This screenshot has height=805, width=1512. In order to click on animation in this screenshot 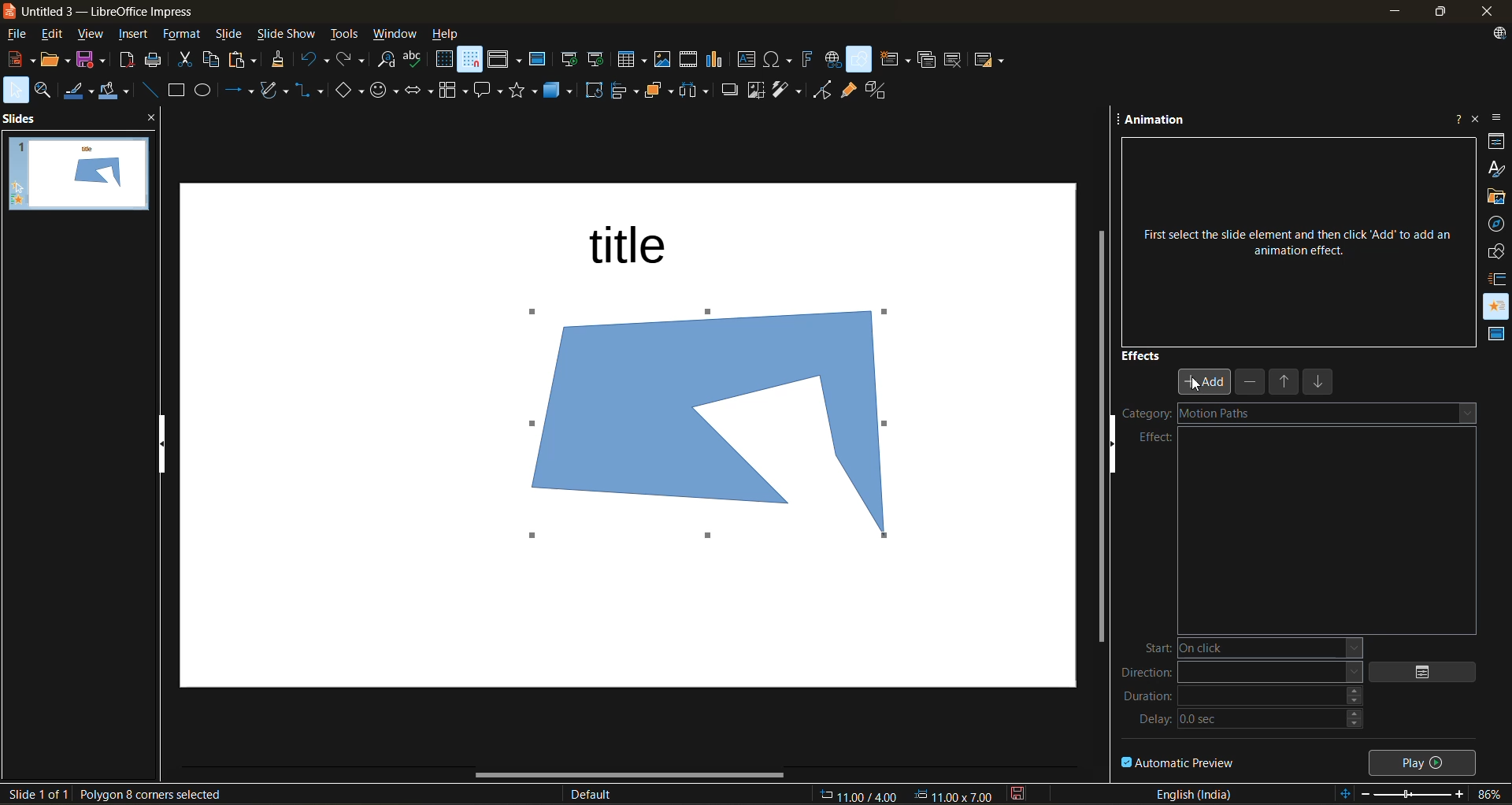, I will do `click(1492, 304)`.